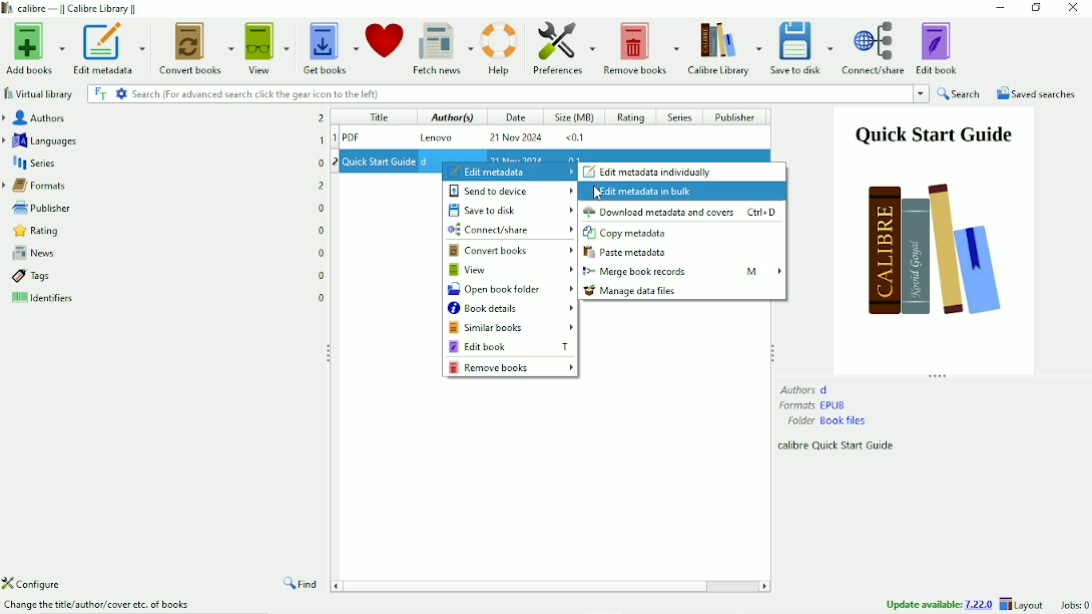 This screenshot has height=614, width=1092. I want to click on Date, so click(514, 118).